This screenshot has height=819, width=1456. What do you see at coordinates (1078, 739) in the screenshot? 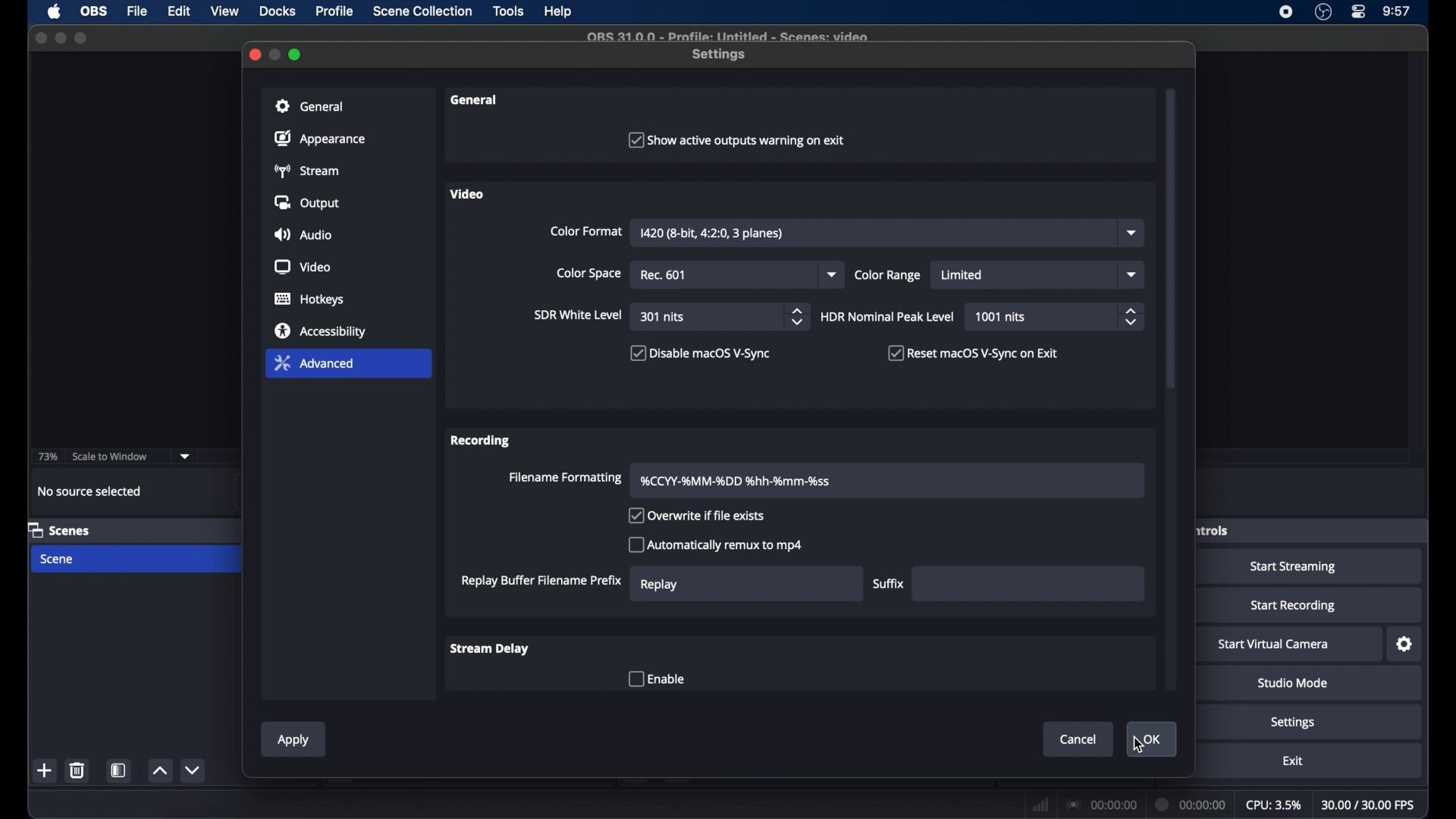
I see `cancel` at bounding box center [1078, 739].